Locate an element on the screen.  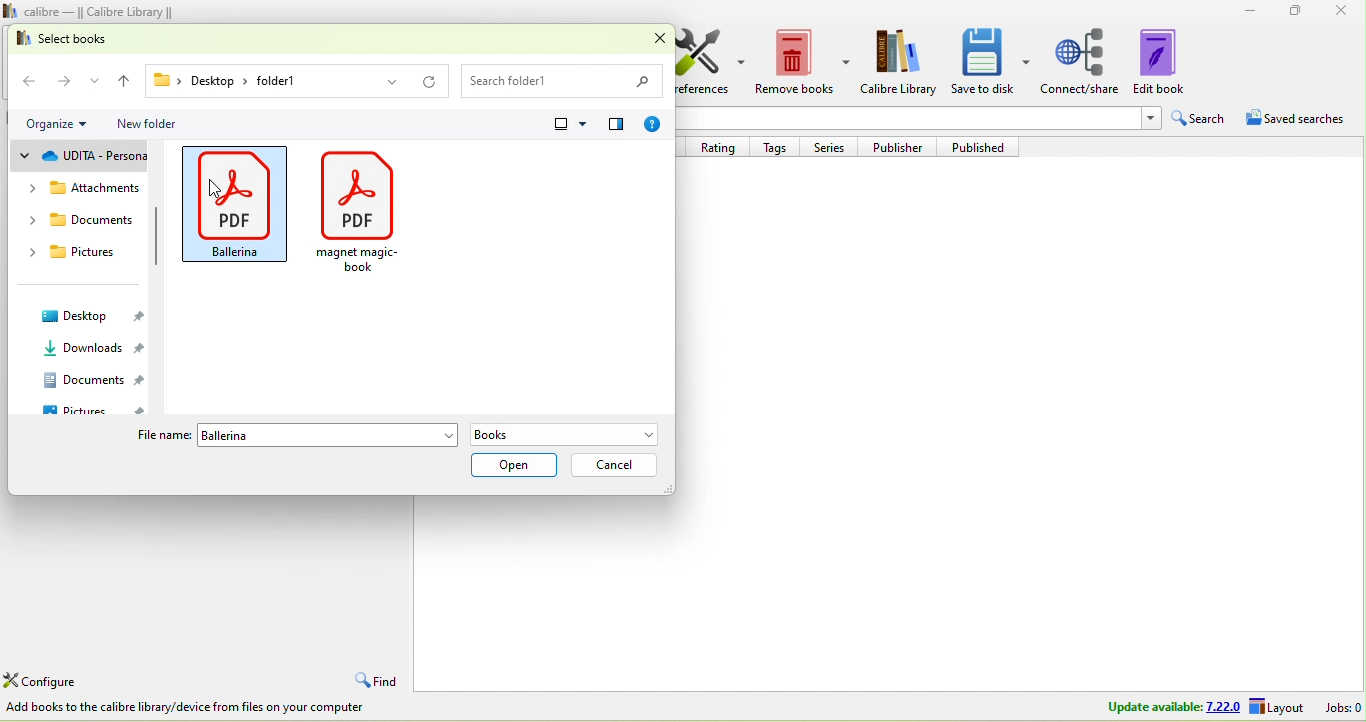
magnet magic book is located at coordinates (362, 209).